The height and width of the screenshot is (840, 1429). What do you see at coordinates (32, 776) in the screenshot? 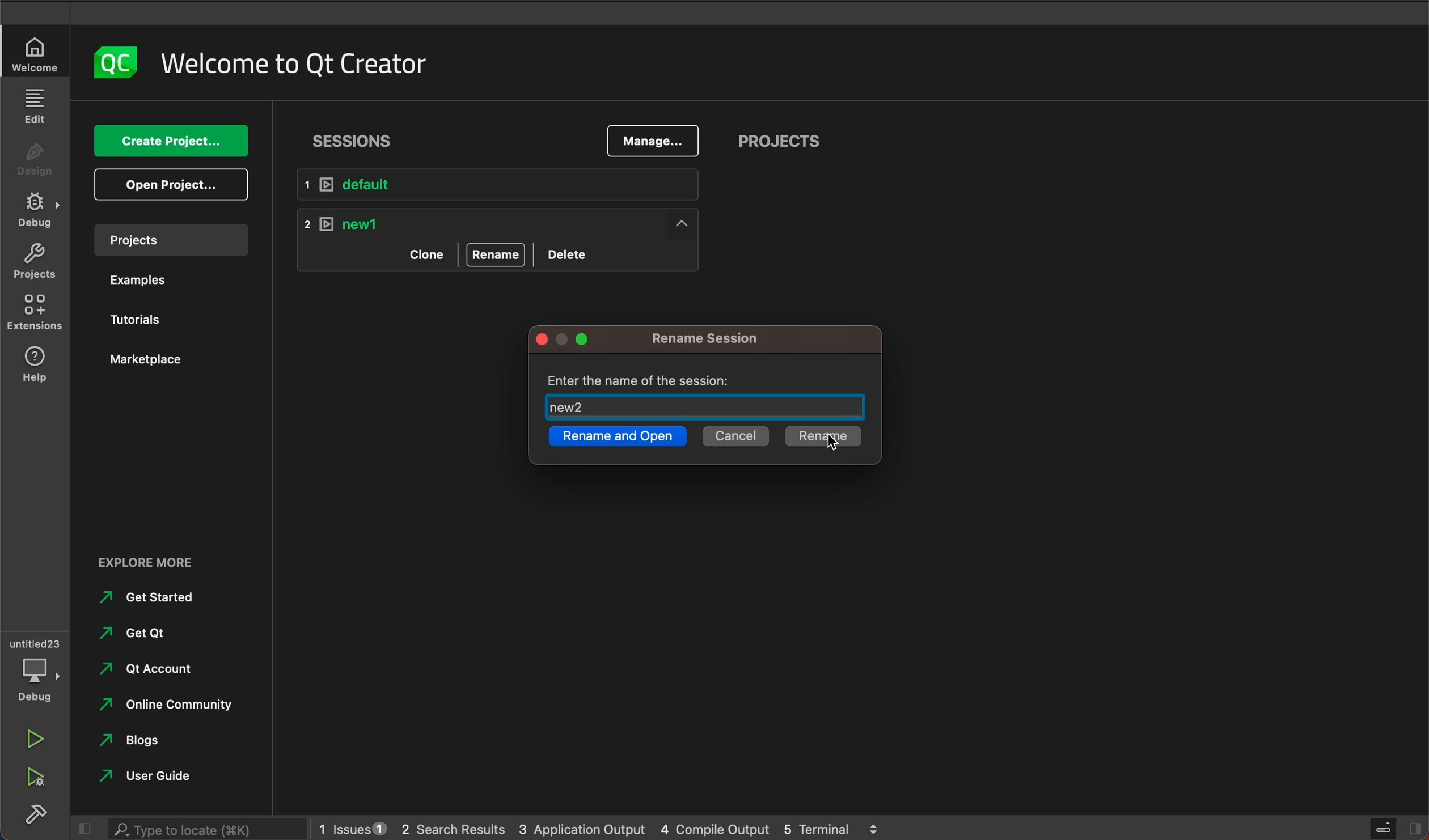
I see `run debug` at bounding box center [32, 776].